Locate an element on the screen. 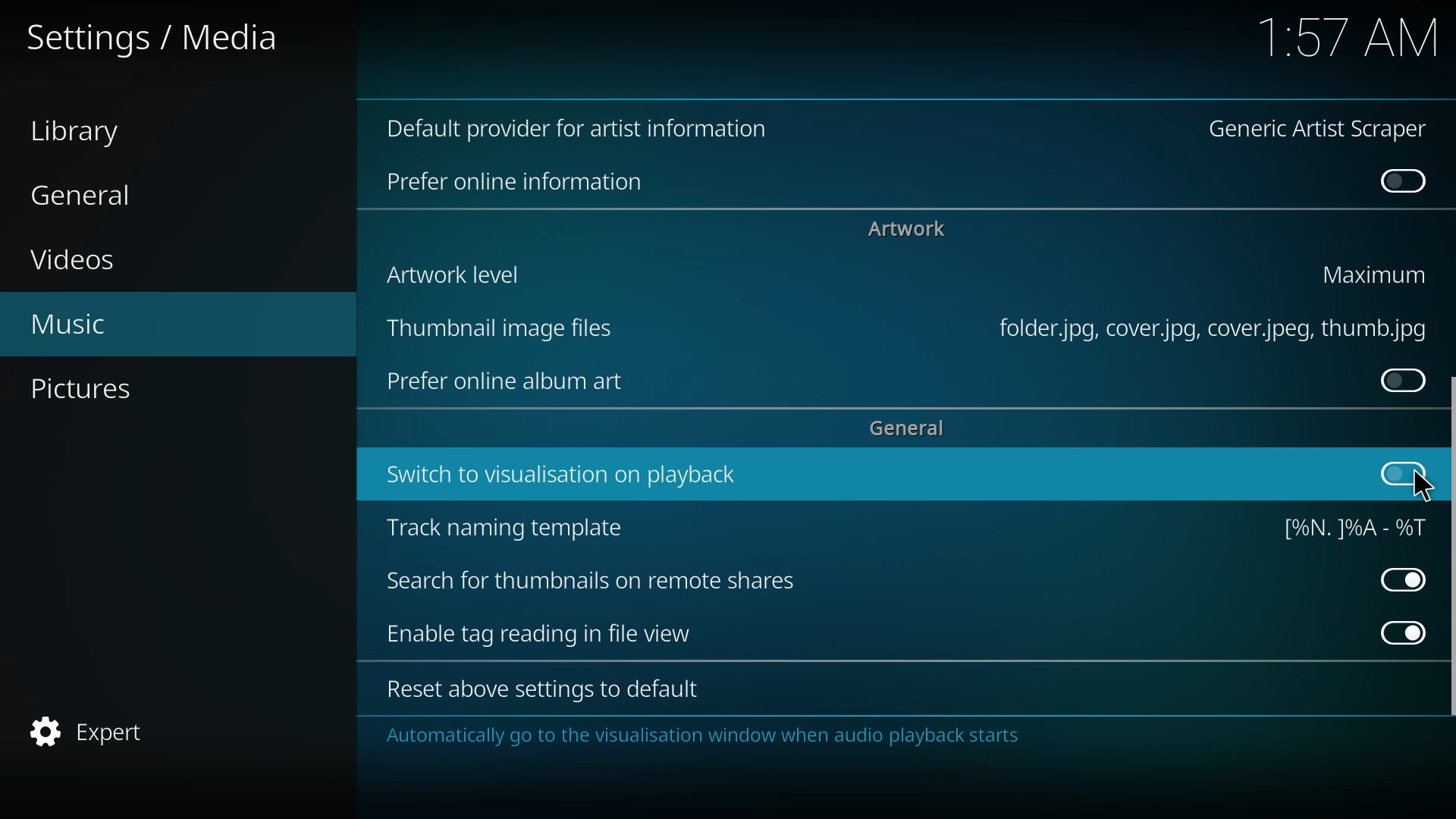 The image size is (1456, 819). cursor is located at coordinates (1422, 485).